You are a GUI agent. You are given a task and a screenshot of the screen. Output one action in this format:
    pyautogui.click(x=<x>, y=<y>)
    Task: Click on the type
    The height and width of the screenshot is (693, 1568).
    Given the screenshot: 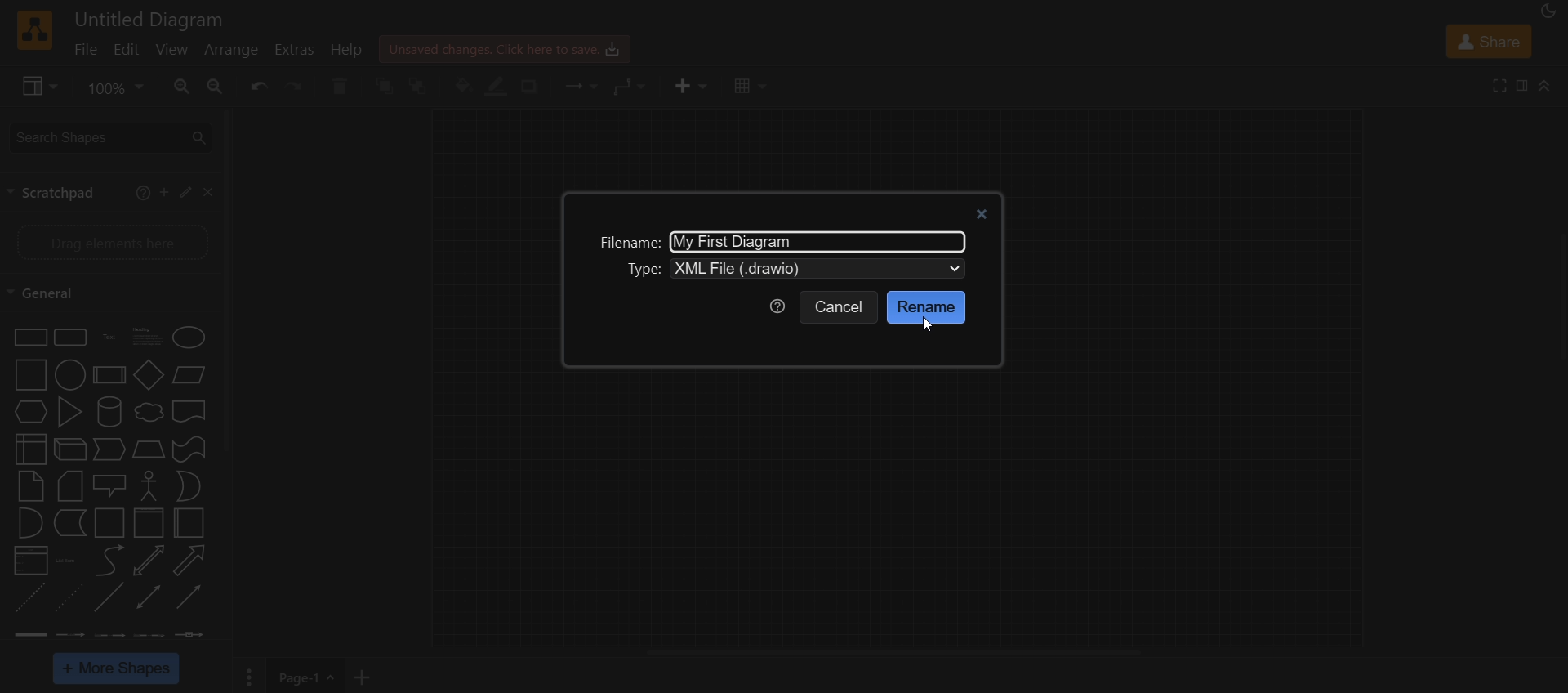 What is the action you would take?
    pyautogui.click(x=645, y=269)
    